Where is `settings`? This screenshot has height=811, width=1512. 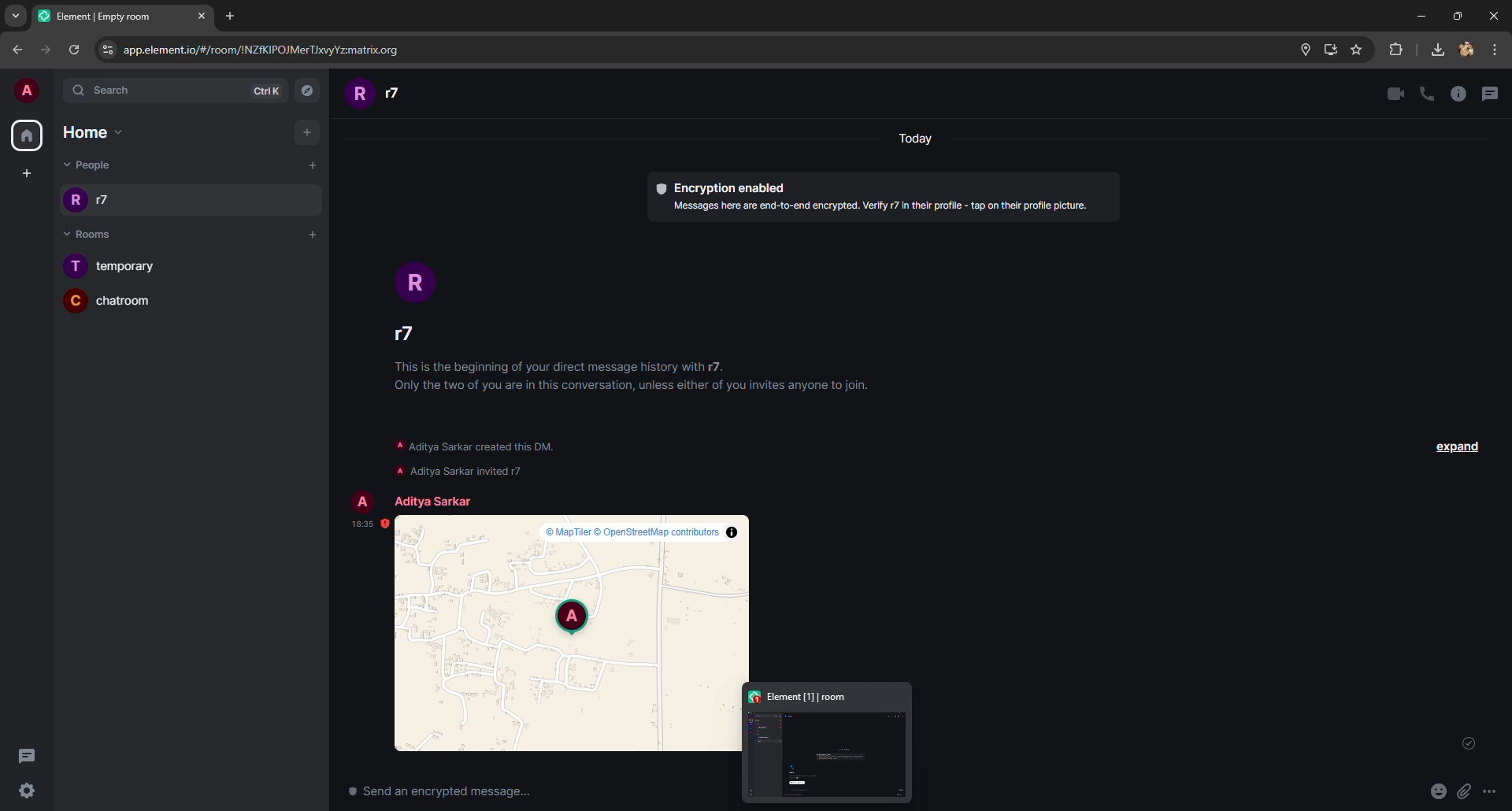
settings is located at coordinates (50, 791).